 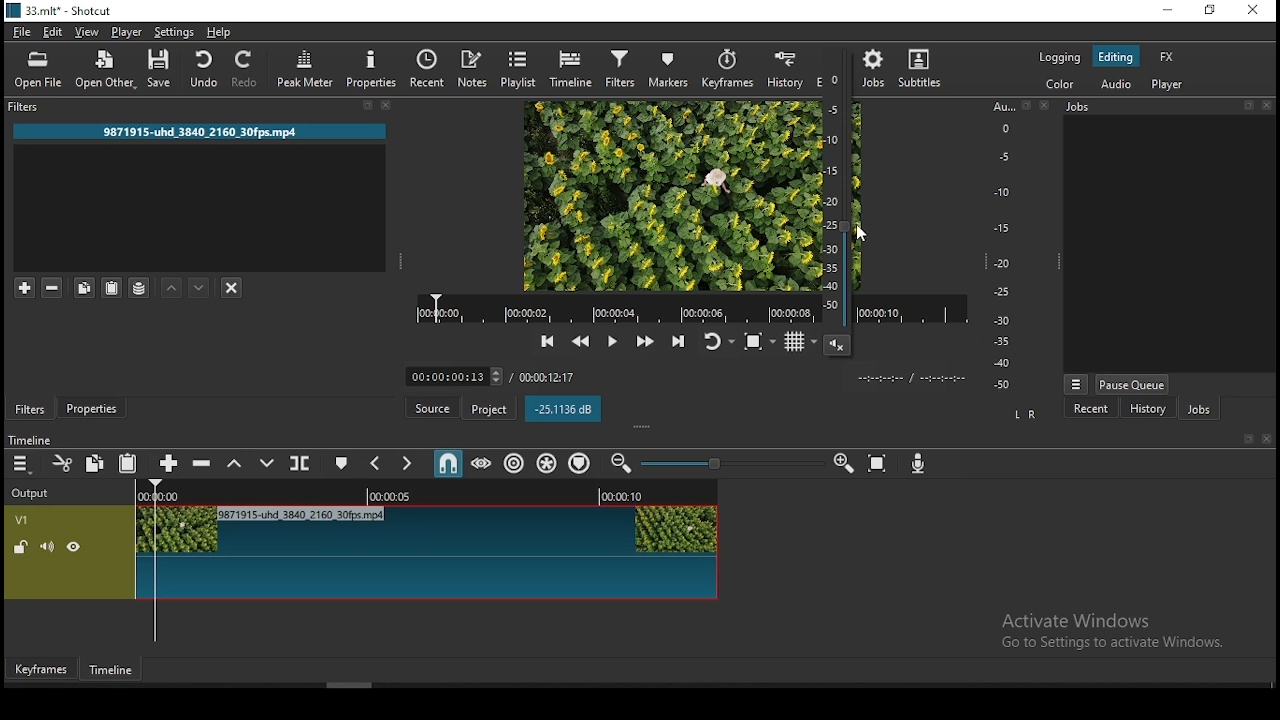 I want to click on jobs, so click(x=877, y=69).